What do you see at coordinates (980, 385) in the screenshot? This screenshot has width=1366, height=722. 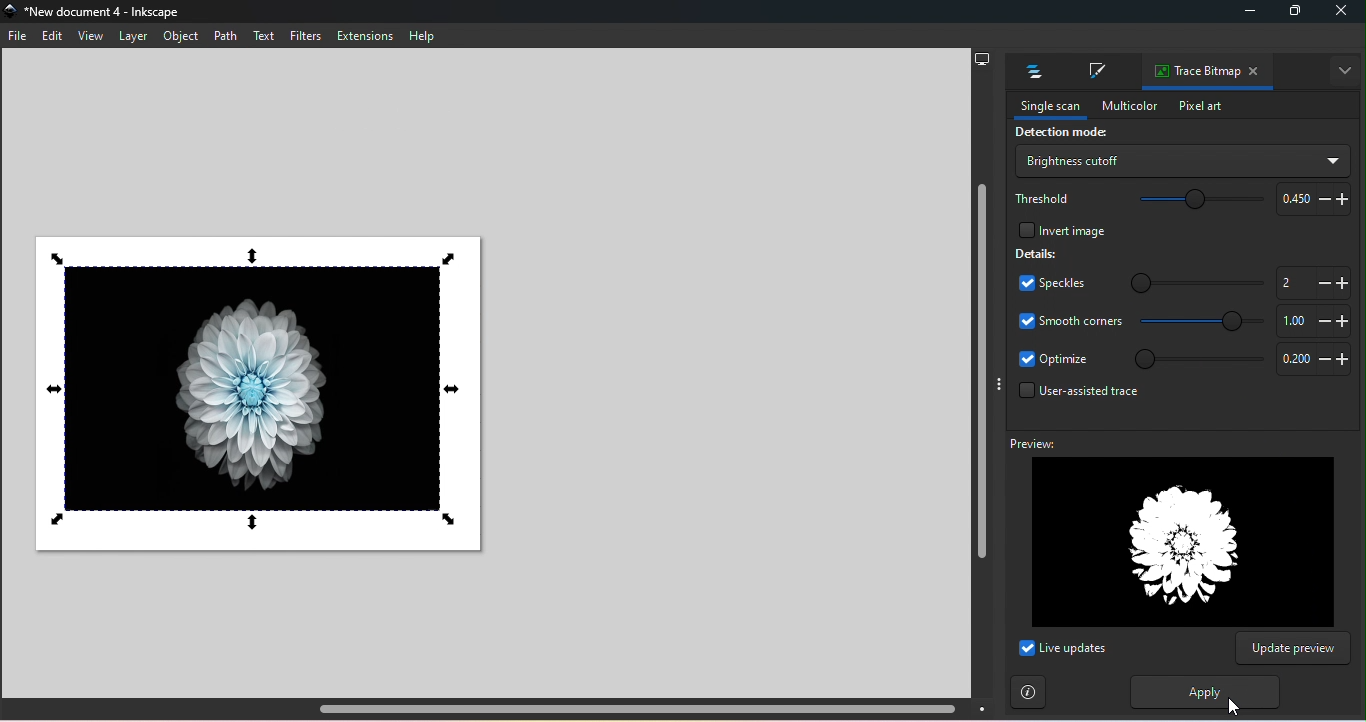 I see `Vertical scroll bar` at bounding box center [980, 385].